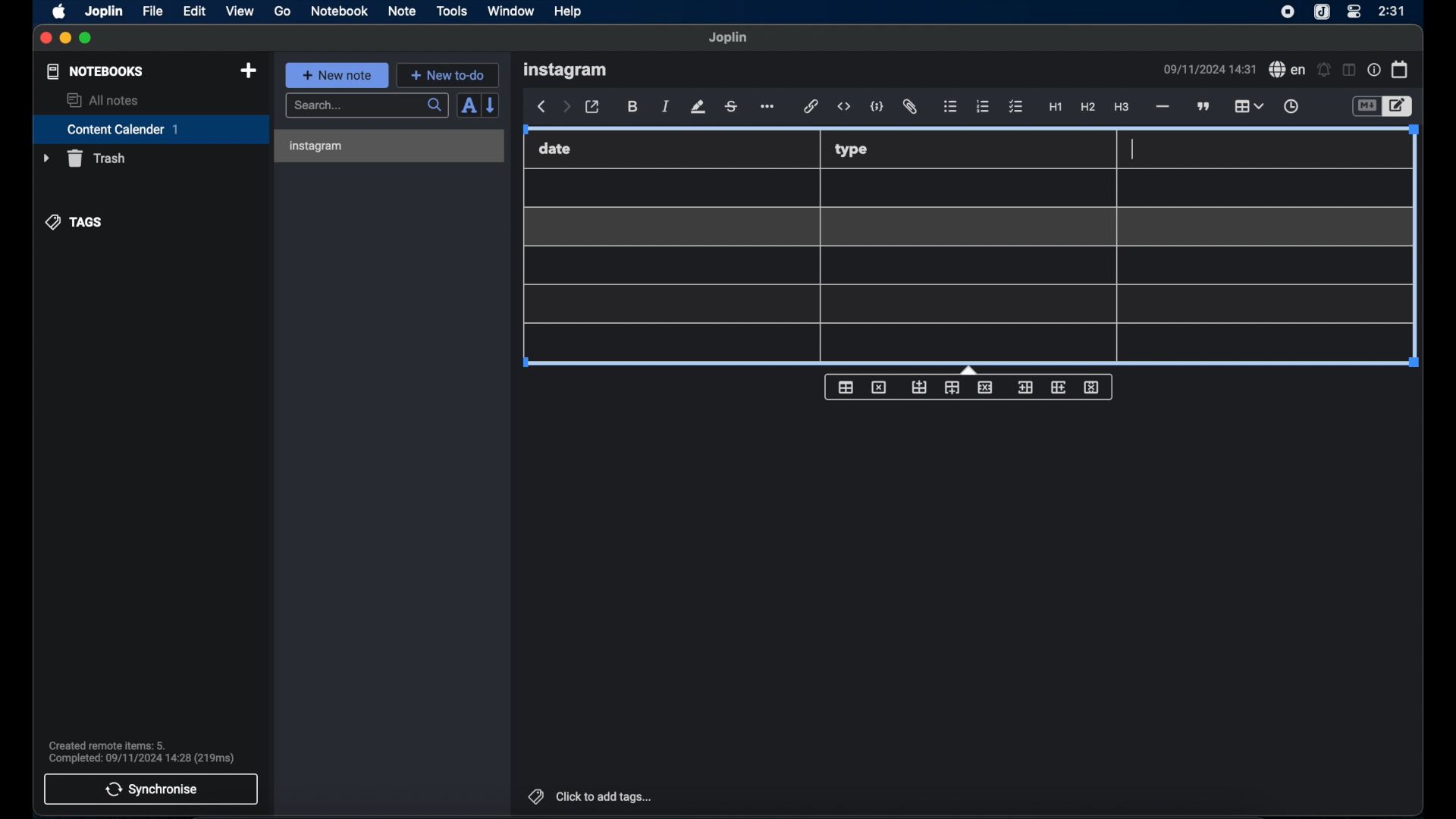  Describe the element at coordinates (240, 11) in the screenshot. I see `view` at that location.